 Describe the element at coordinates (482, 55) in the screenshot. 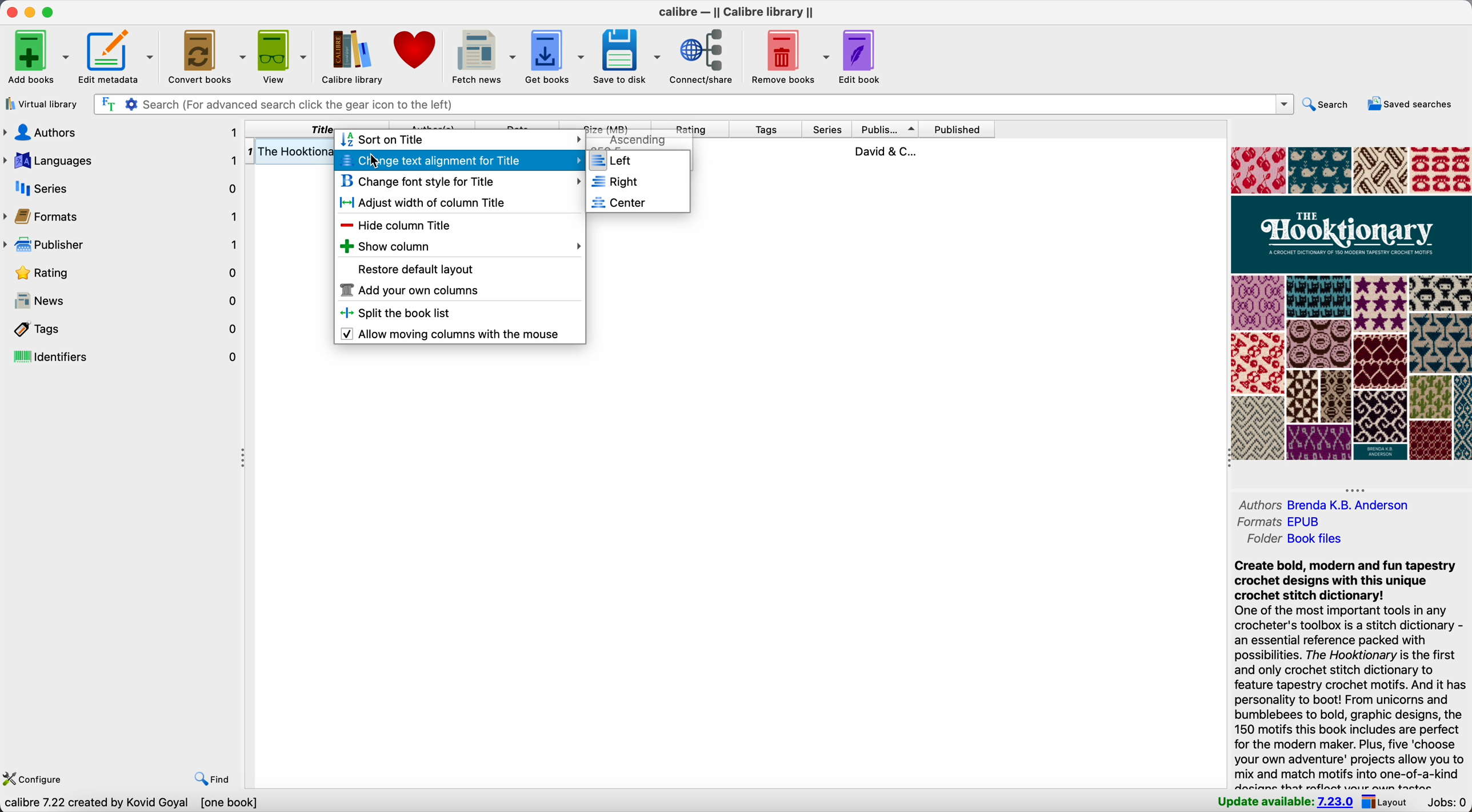

I see `fetch news` at that location.